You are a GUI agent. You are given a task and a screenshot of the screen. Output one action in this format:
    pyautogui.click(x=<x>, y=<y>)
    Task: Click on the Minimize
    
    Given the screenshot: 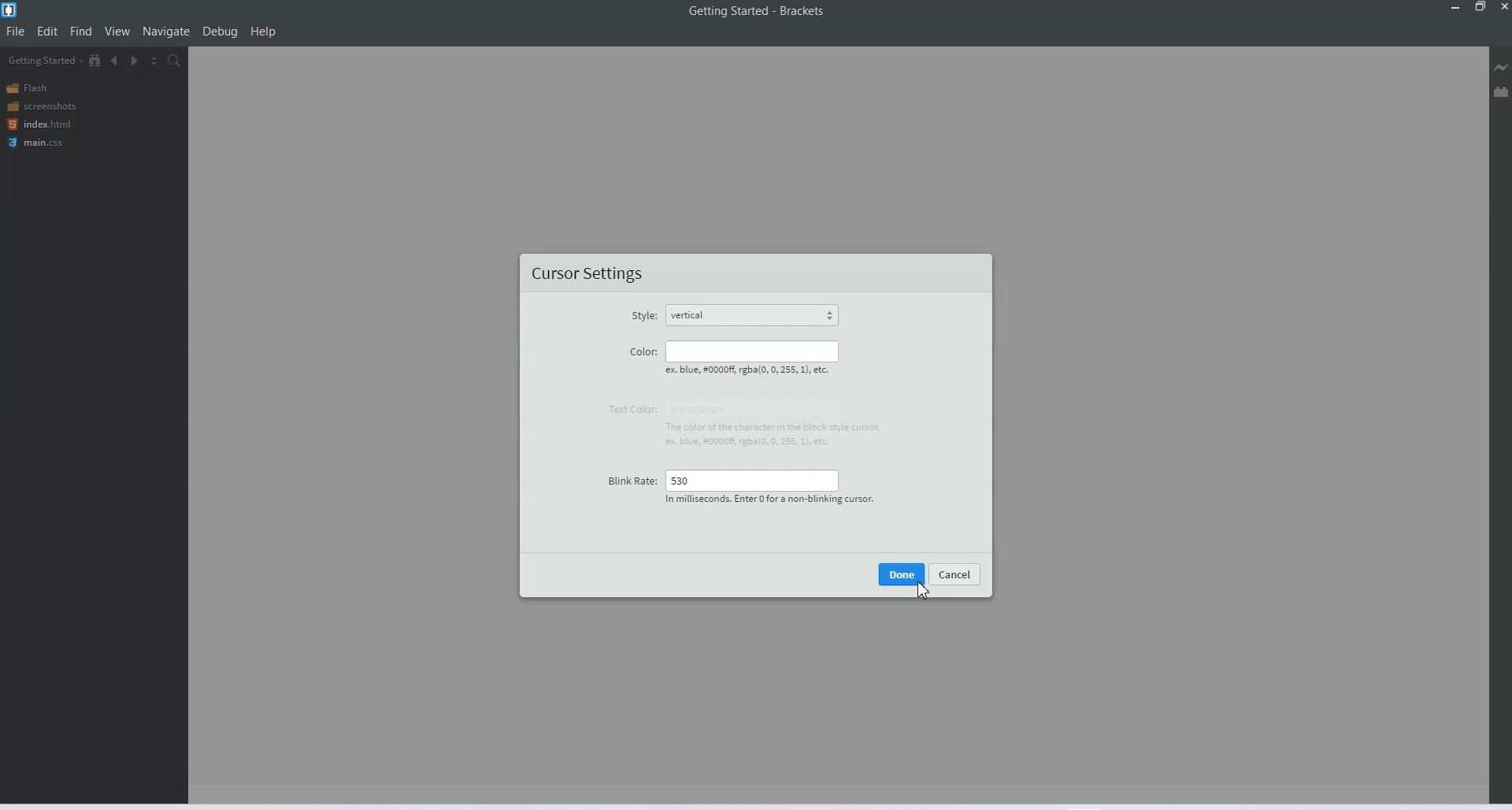 What is the action you would take?
    pyautogui.click(x=1456, y=7)
    